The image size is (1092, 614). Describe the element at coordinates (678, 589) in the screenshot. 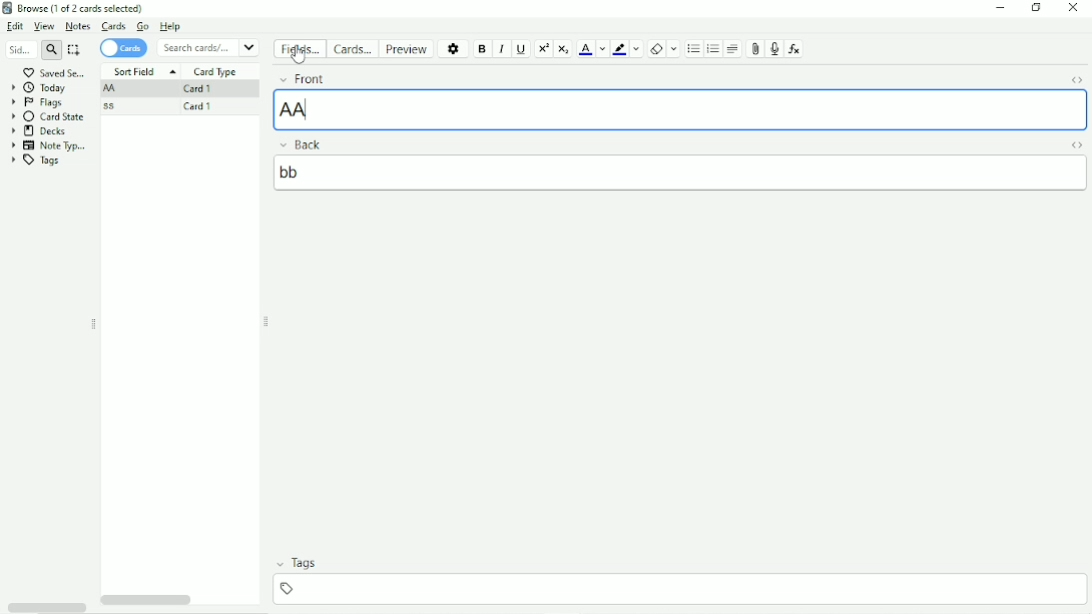

I see `Input tags` at that location.